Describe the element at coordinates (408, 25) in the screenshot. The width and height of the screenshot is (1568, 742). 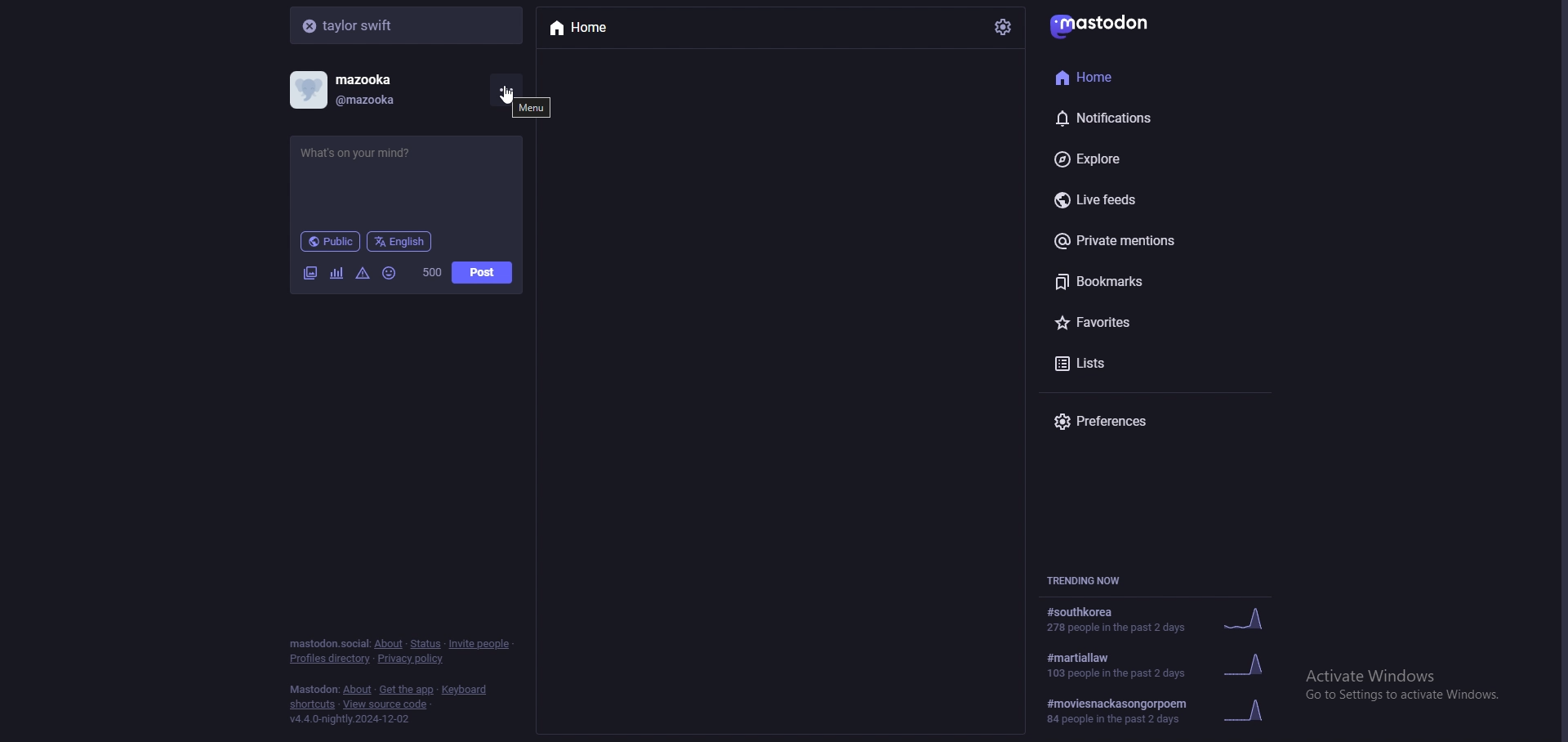
I see `search bar` at that location.